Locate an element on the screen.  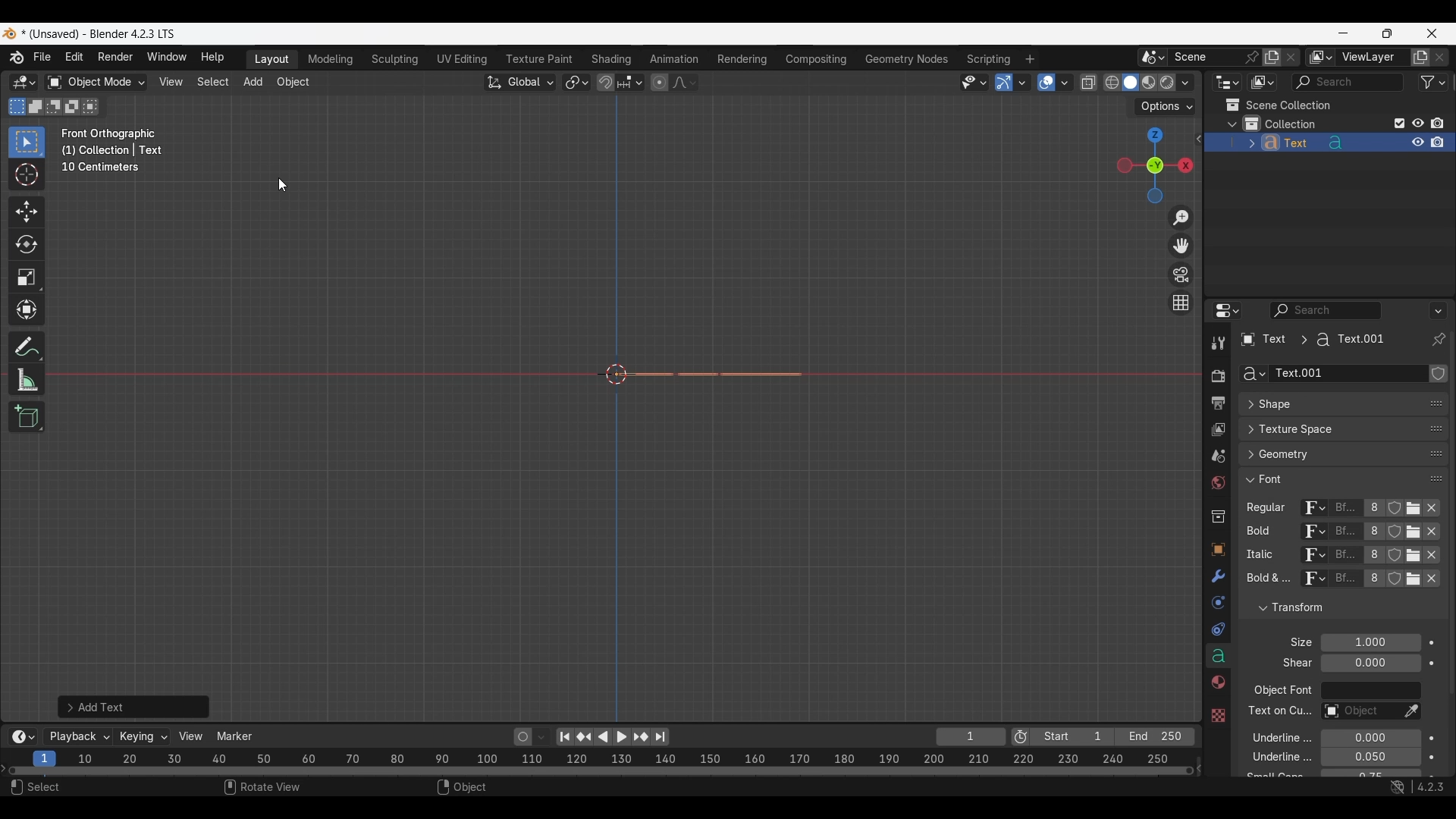
Project and software name is located at coordinates (99, 34).